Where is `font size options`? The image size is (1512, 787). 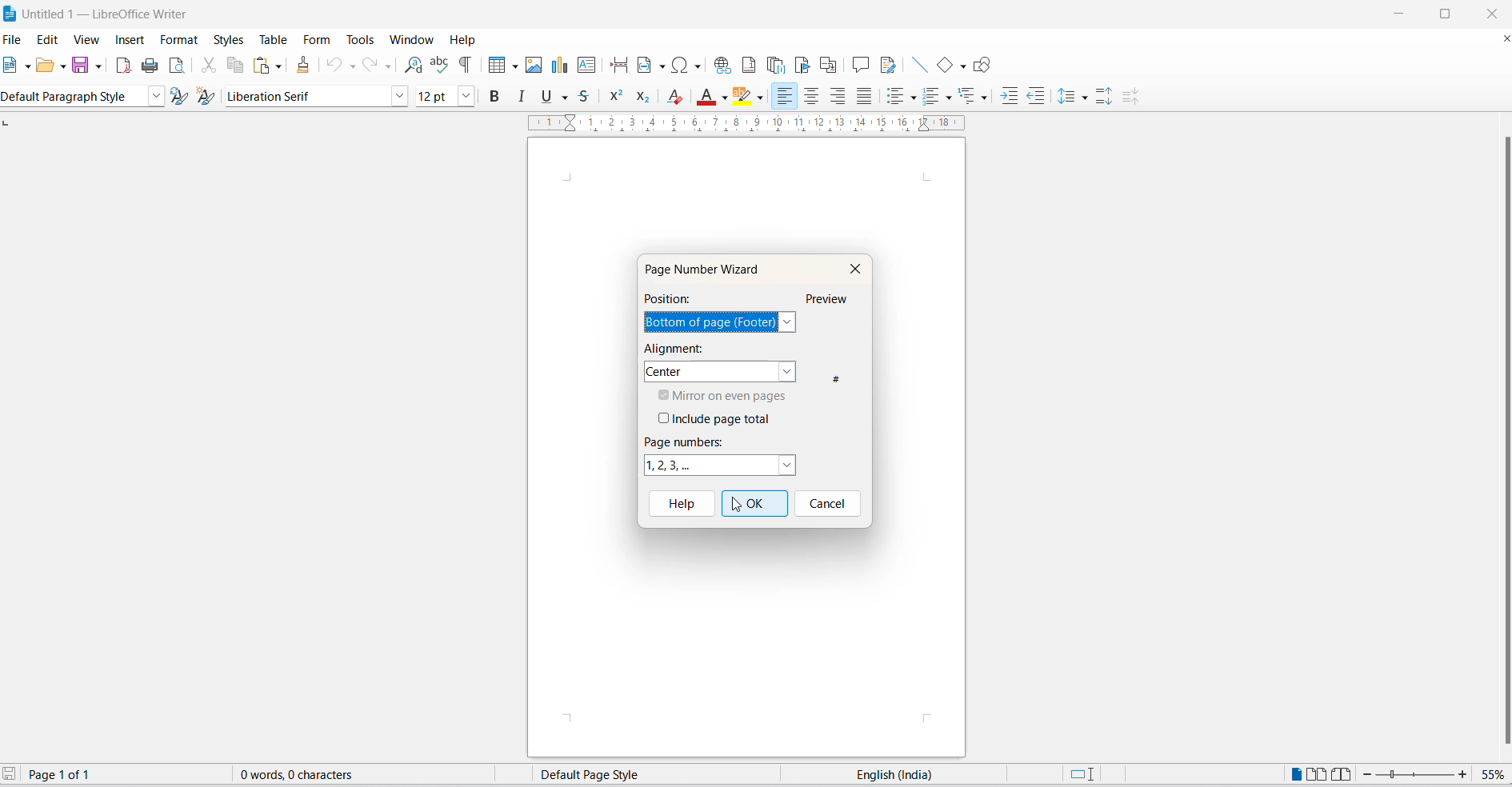
font size options is located at coordinates (466, 95).